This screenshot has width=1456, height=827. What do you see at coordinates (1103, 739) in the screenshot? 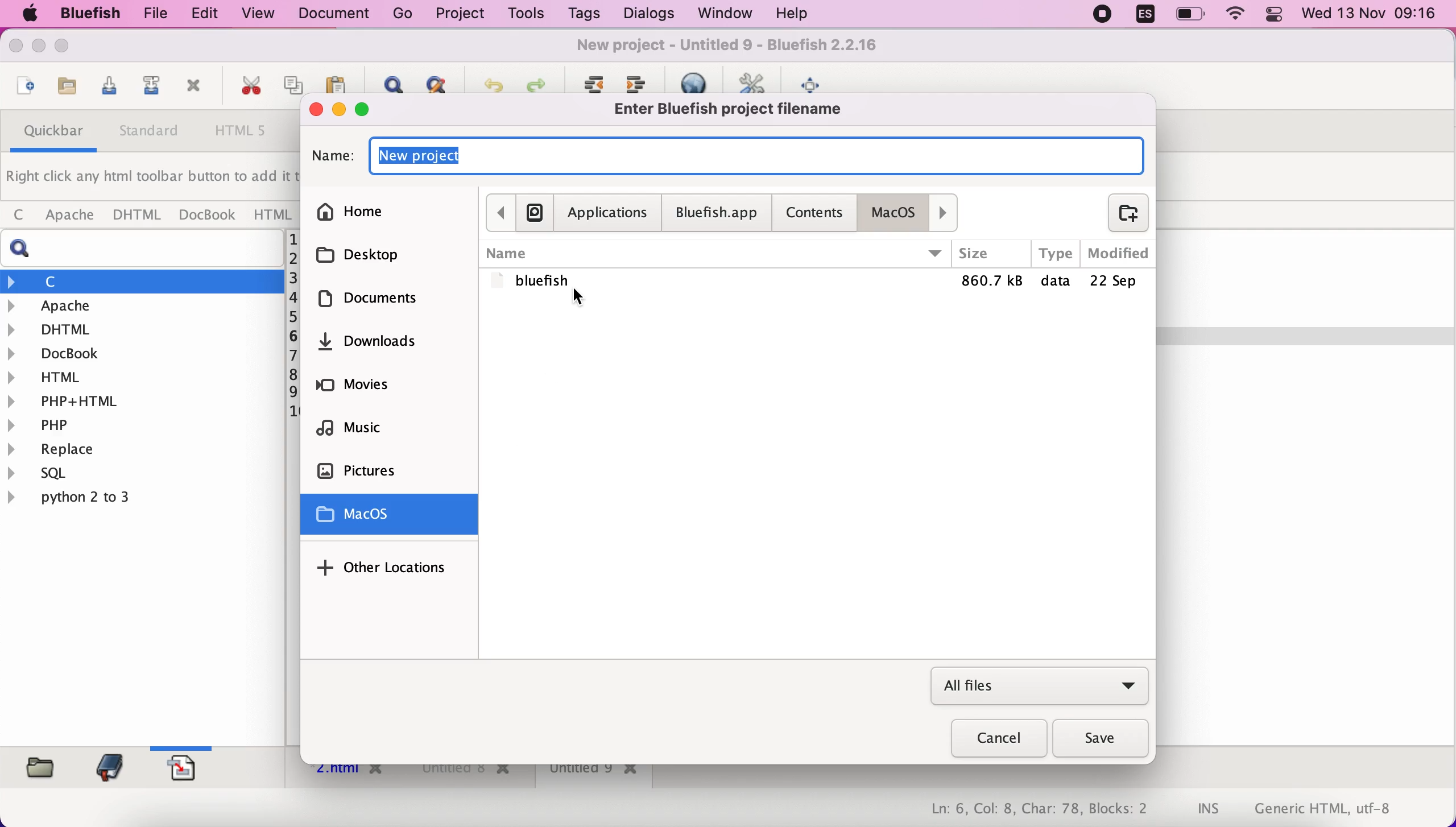
I see `save` at bounding box center [1103, 739].